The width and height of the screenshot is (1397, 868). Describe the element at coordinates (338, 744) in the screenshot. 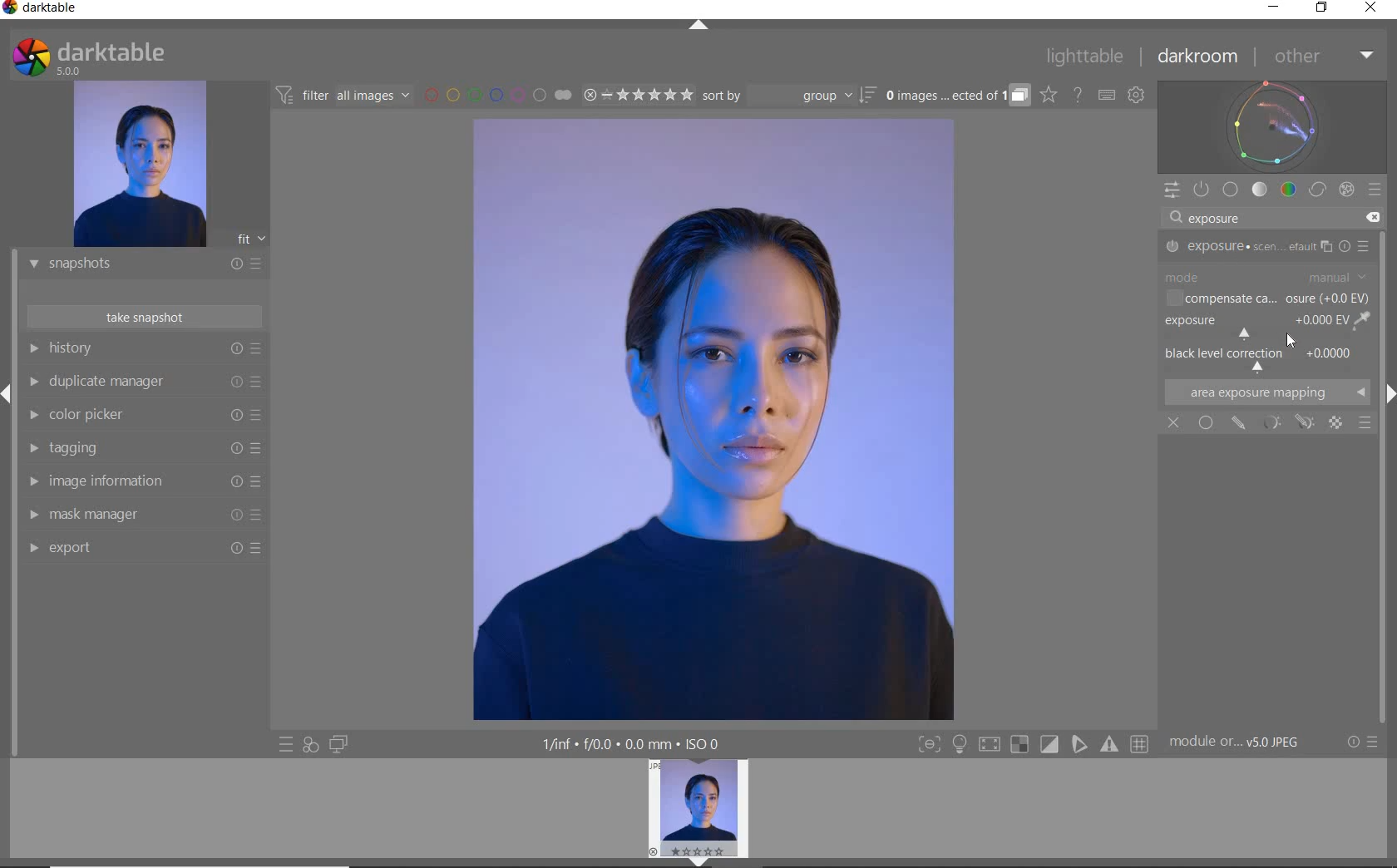

I see `DISPLAY A SECOND DARKROOM IMAGE WINDOW` at that location.